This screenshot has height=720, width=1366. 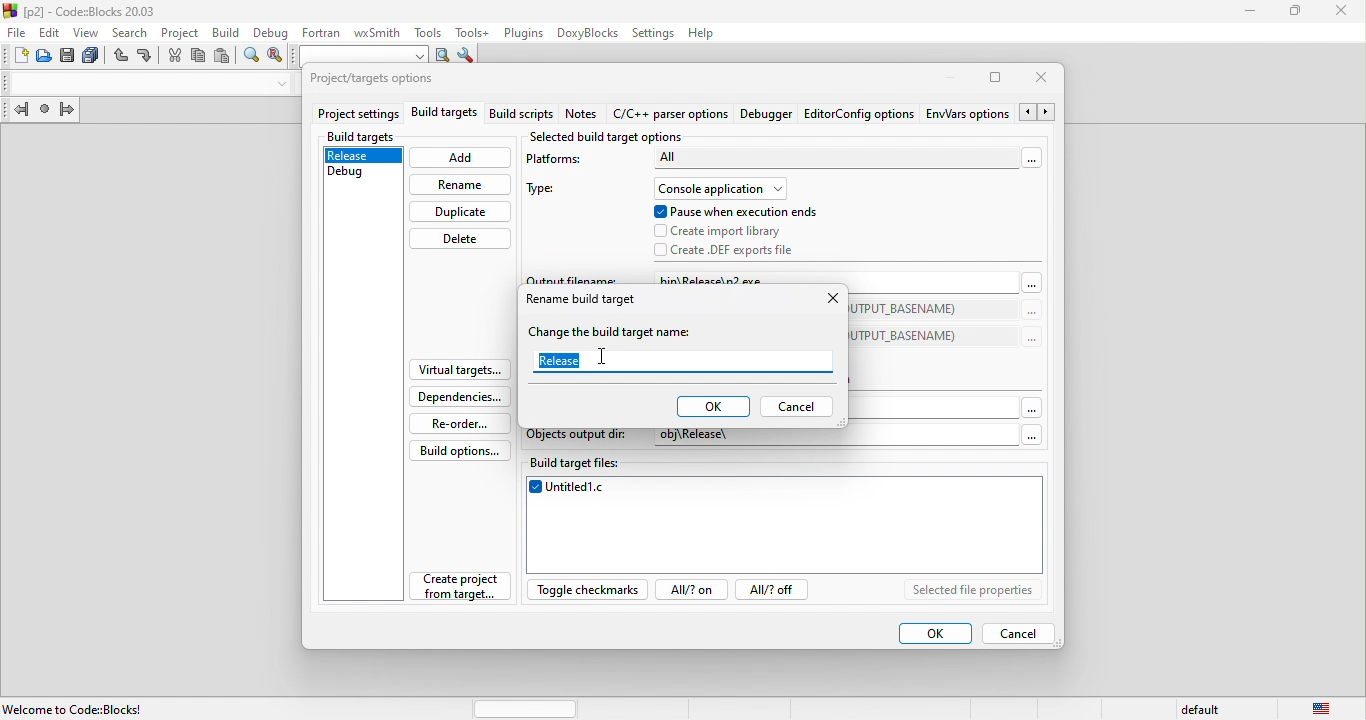 I want to click on Arrows, so click(x=1039, y=113).